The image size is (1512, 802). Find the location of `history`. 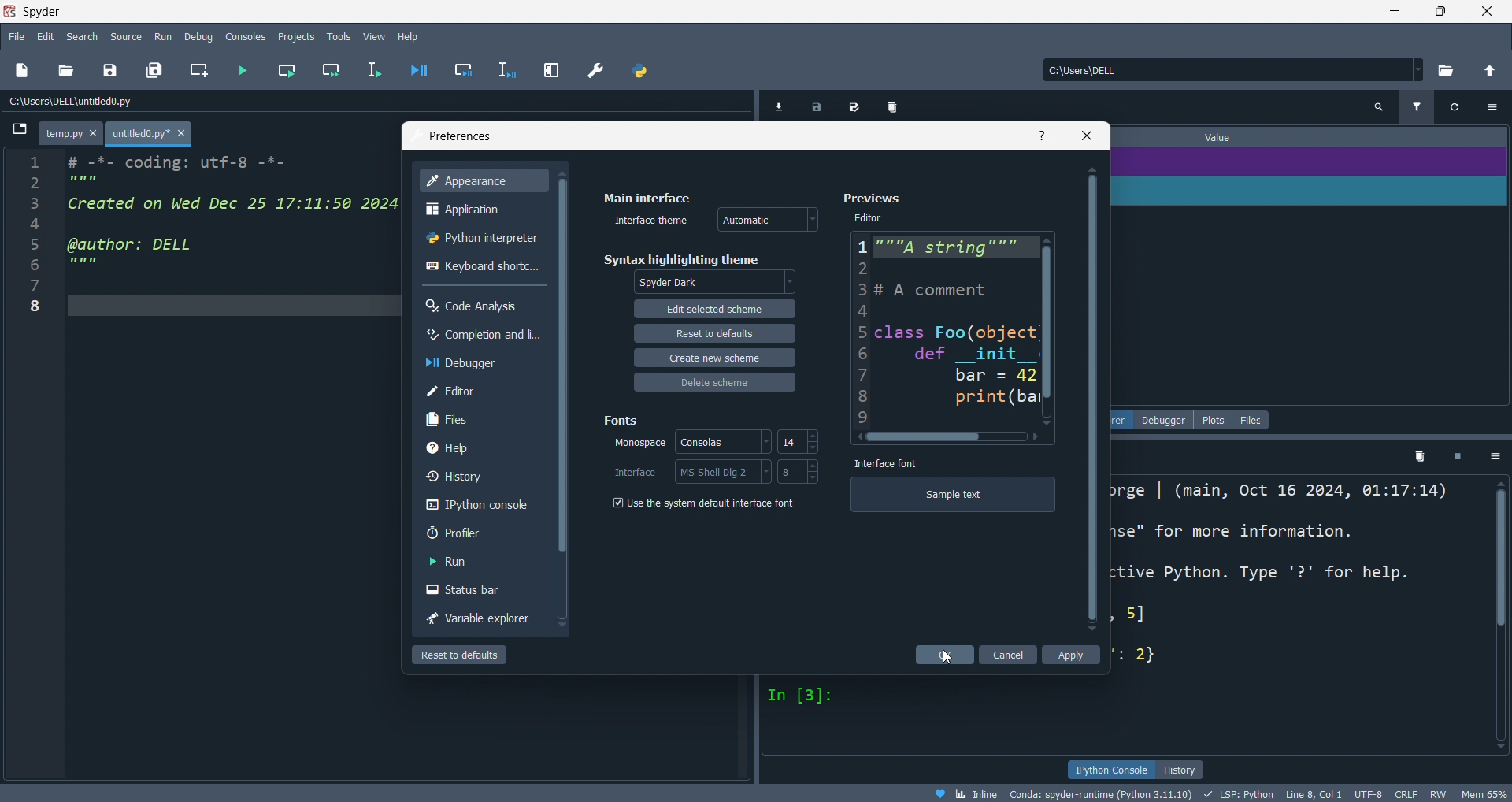

history is located at coordinates (1185, 769).